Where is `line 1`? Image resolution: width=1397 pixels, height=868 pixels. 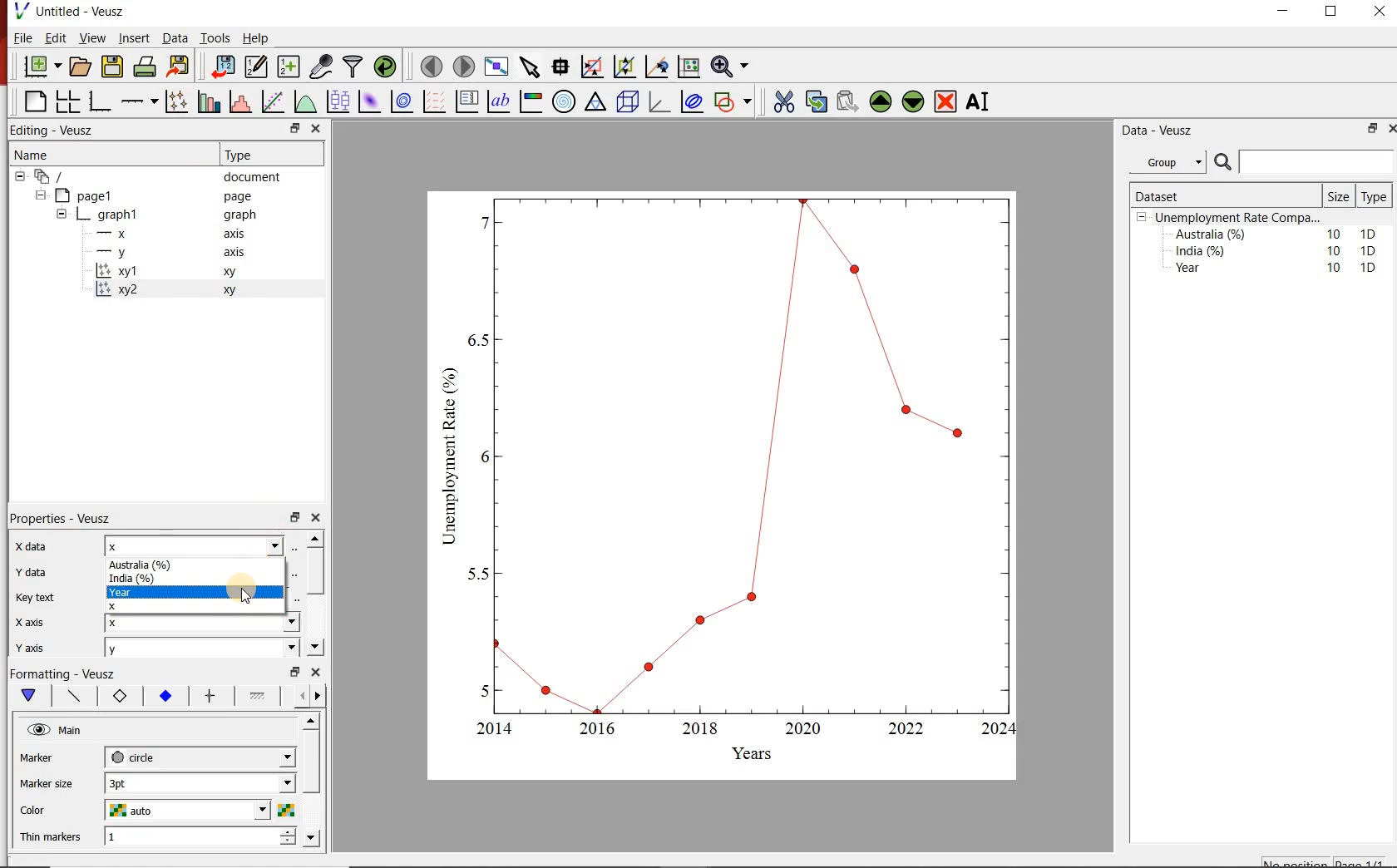
line 1 is located at coordinates (258, 694).